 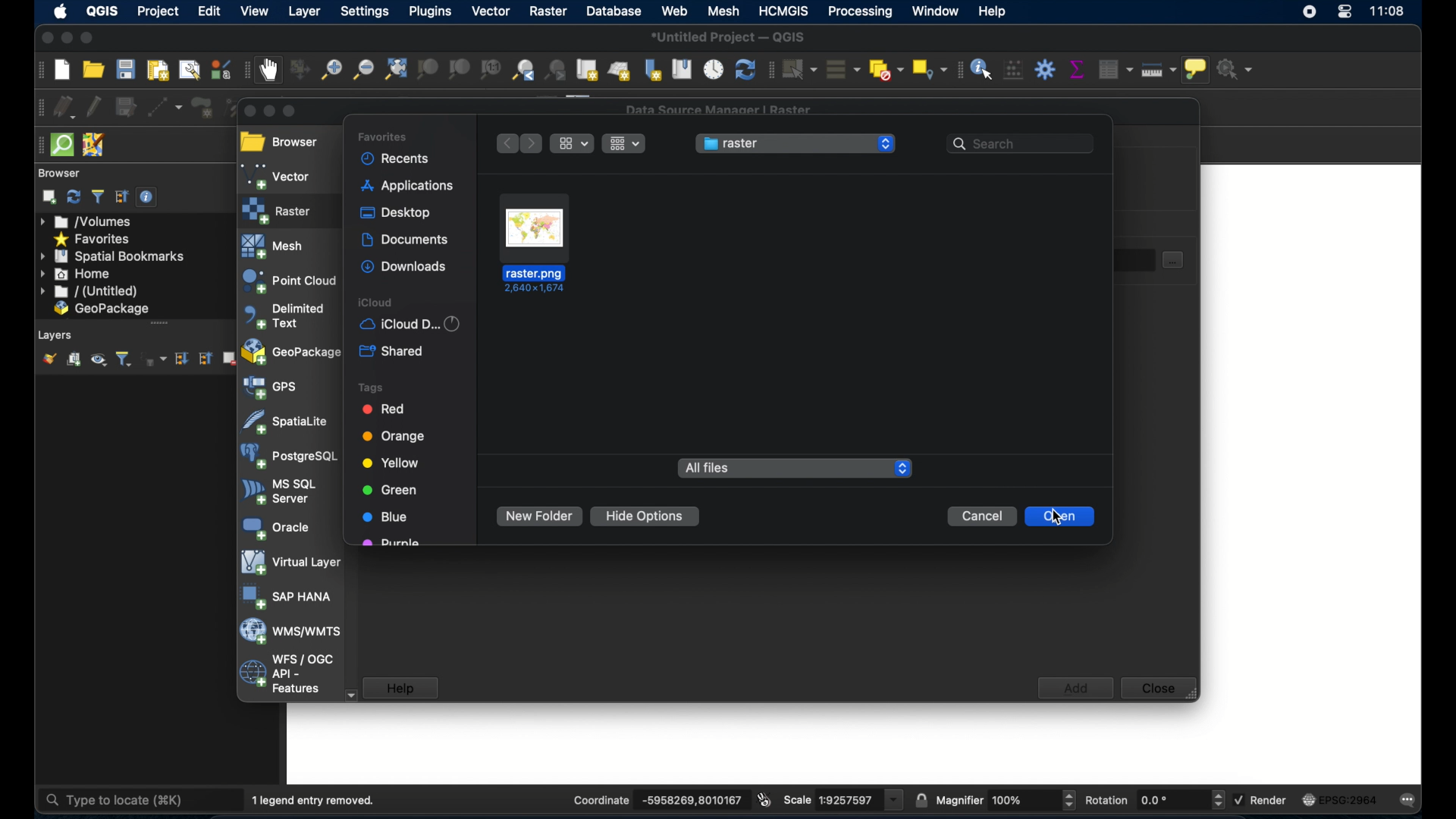 I want to click on maximize, so click(x=87, y=38).